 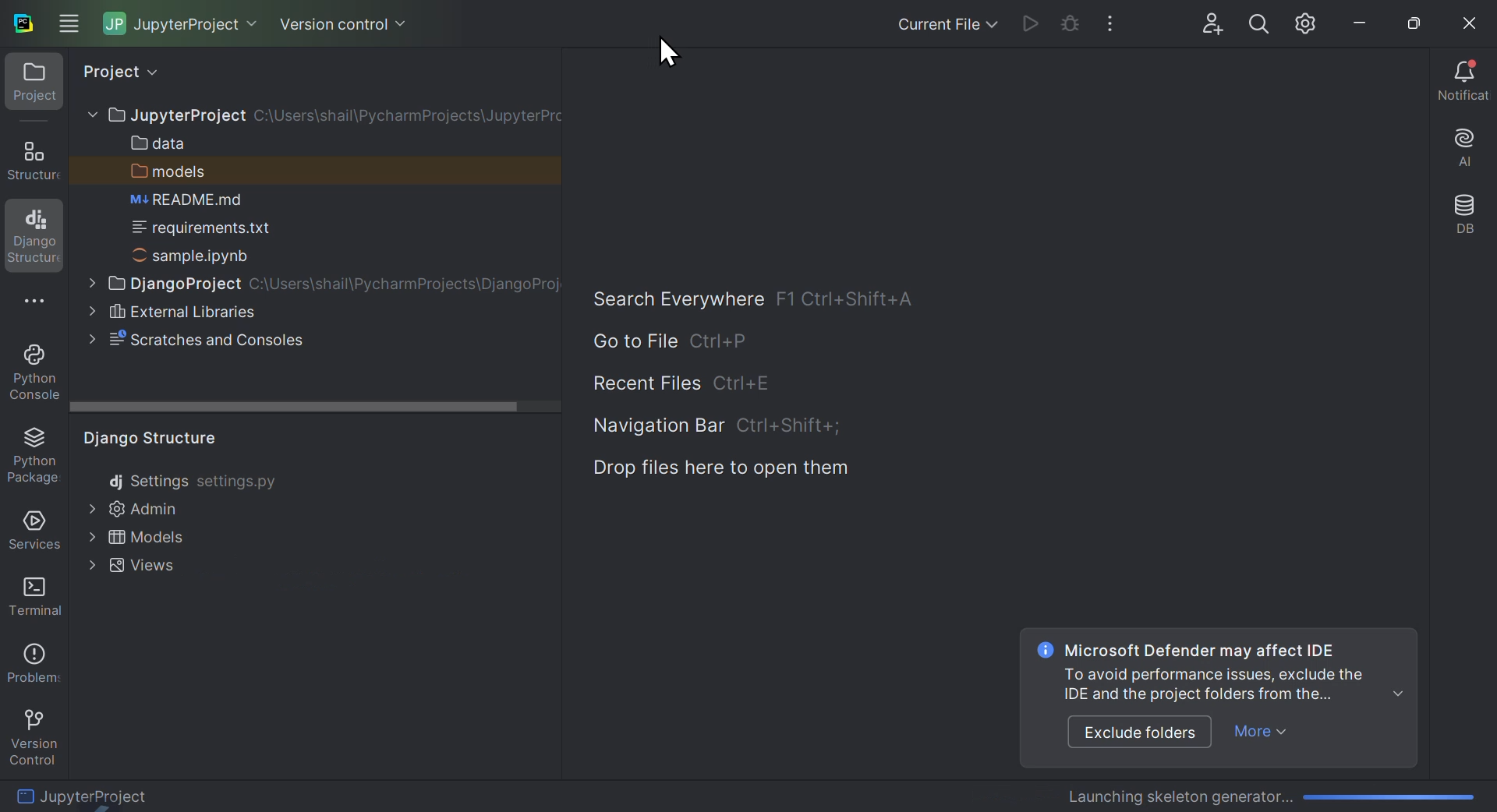 What do you see at coordinates (747, 384) in the screenshot?
I see `shortcut` at bounding box center [747, 384].